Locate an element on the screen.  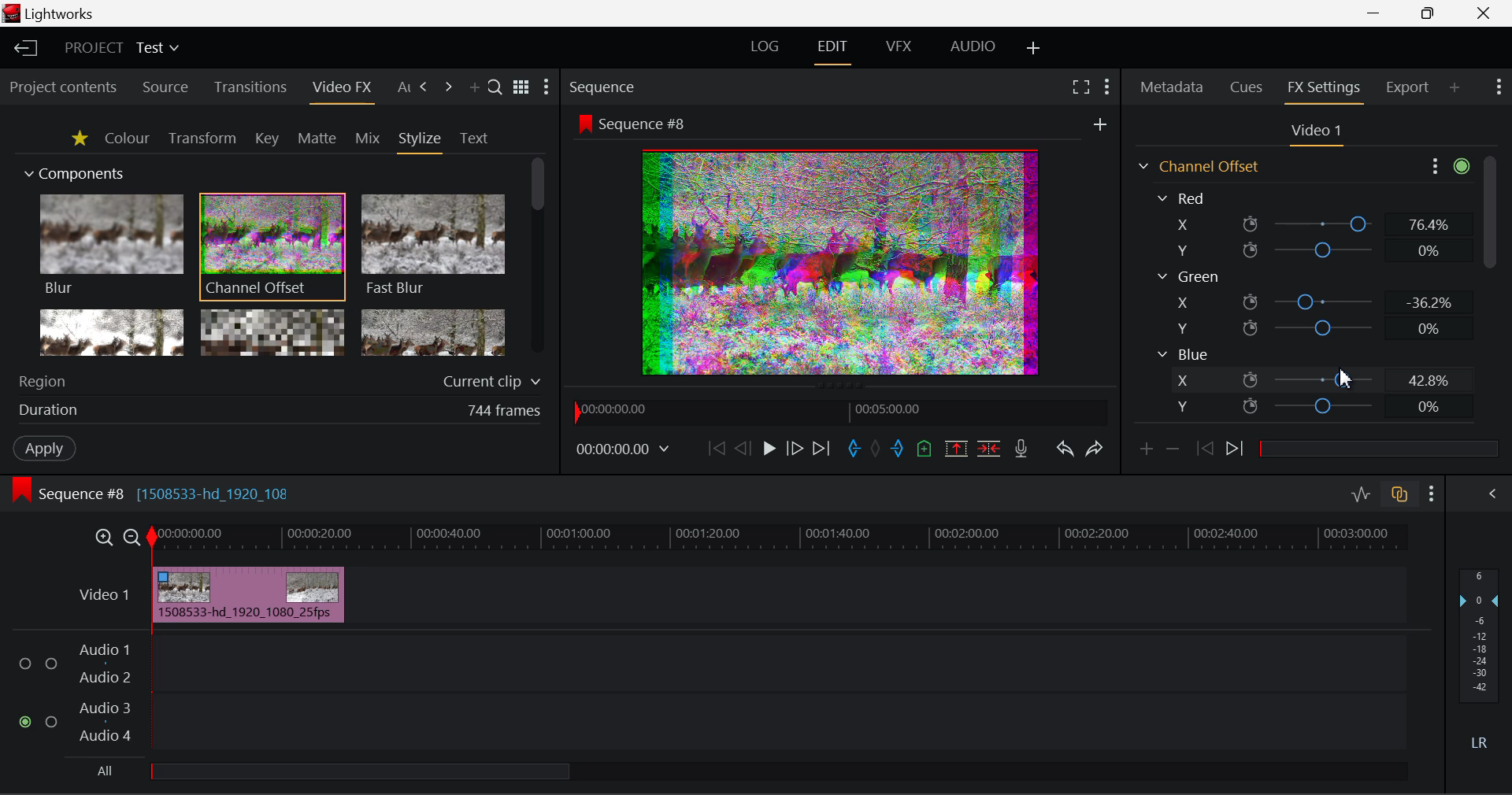
Mark Out is located at coordinates (896, 449).